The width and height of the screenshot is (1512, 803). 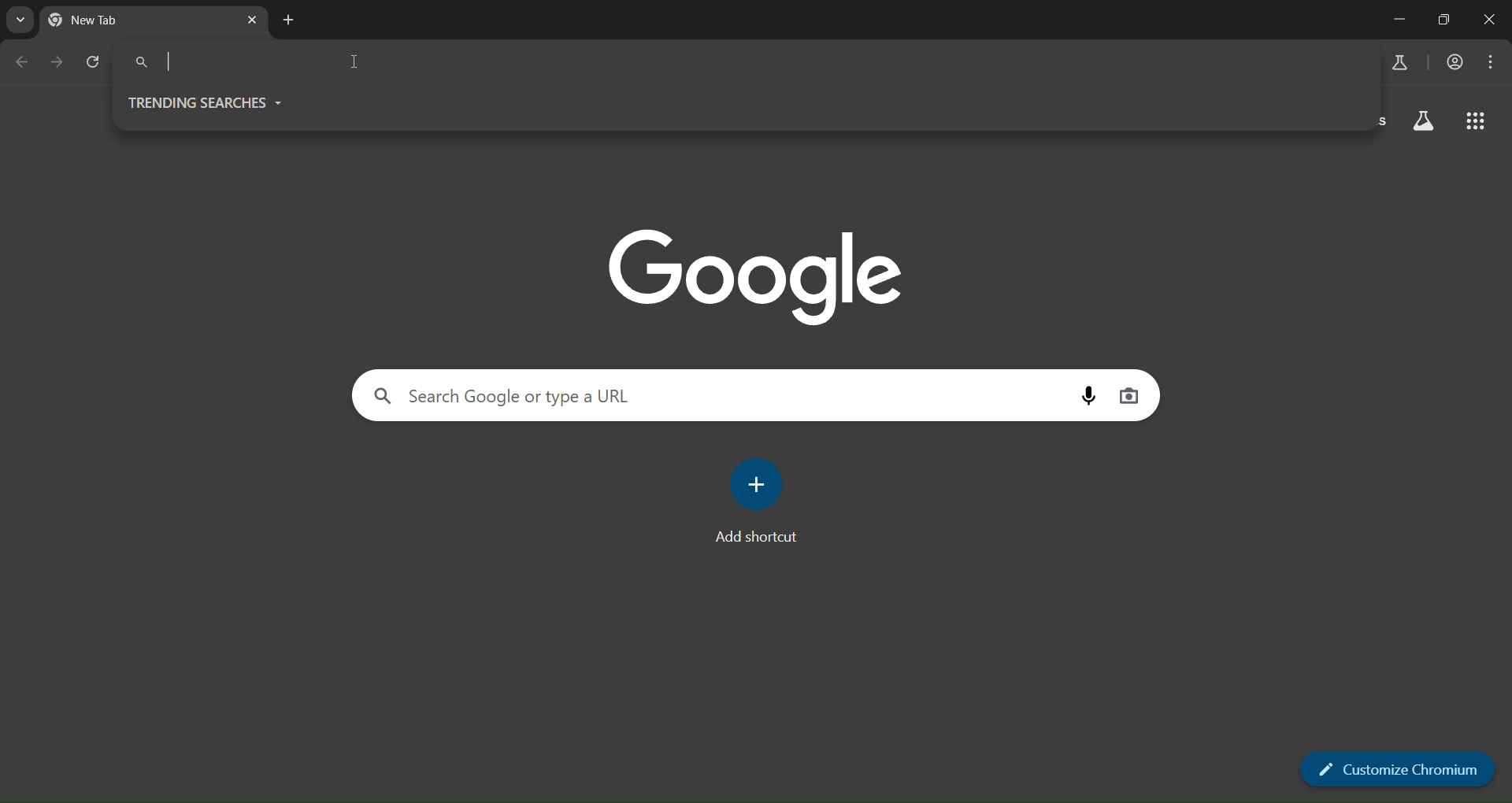 I want to click on close tab, so click(x=253, y=19).